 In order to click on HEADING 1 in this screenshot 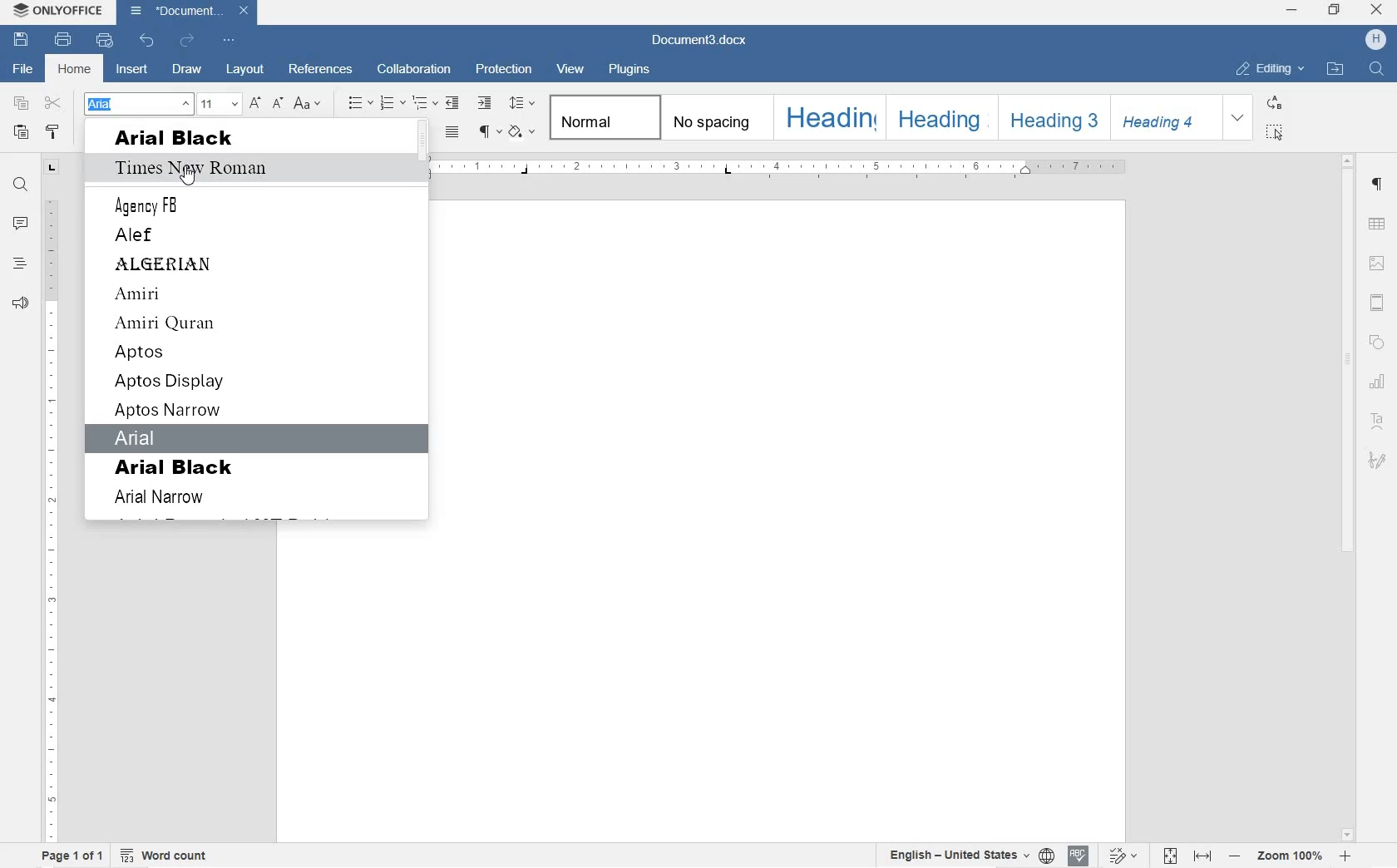, I will do `click(827, 116)`.